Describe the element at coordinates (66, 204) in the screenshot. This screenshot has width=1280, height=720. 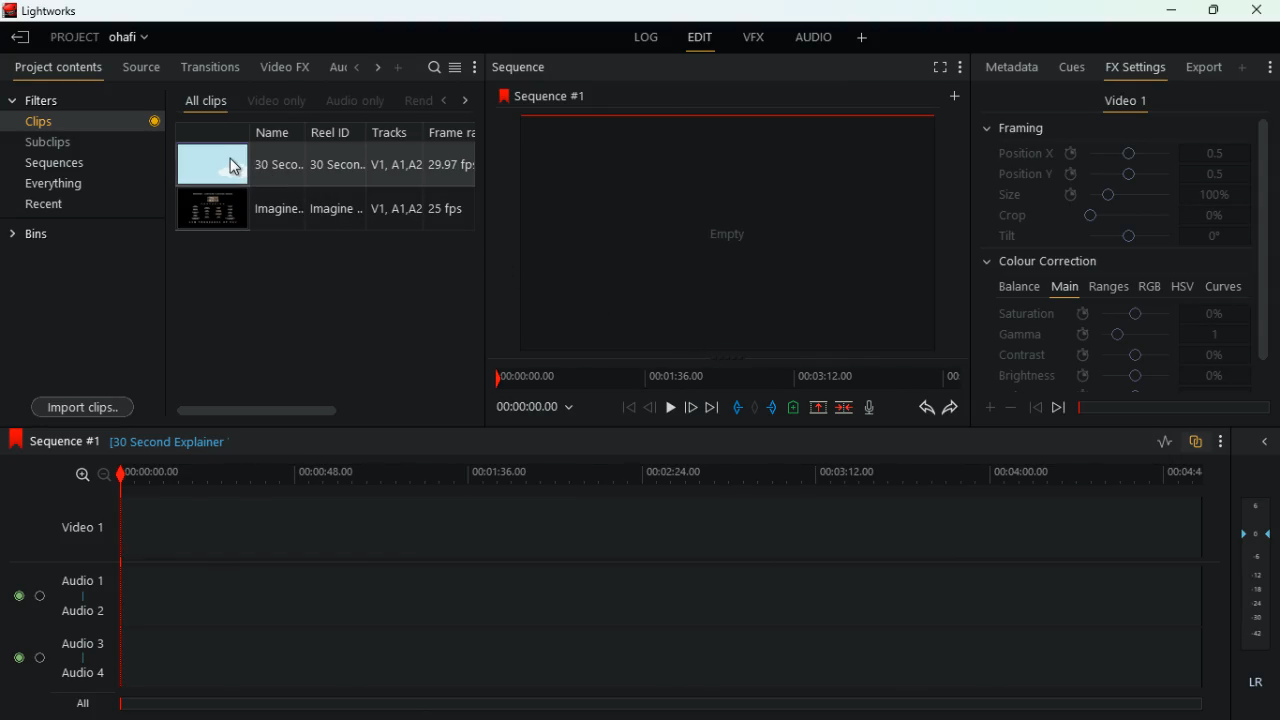
I see `recent` at that location.